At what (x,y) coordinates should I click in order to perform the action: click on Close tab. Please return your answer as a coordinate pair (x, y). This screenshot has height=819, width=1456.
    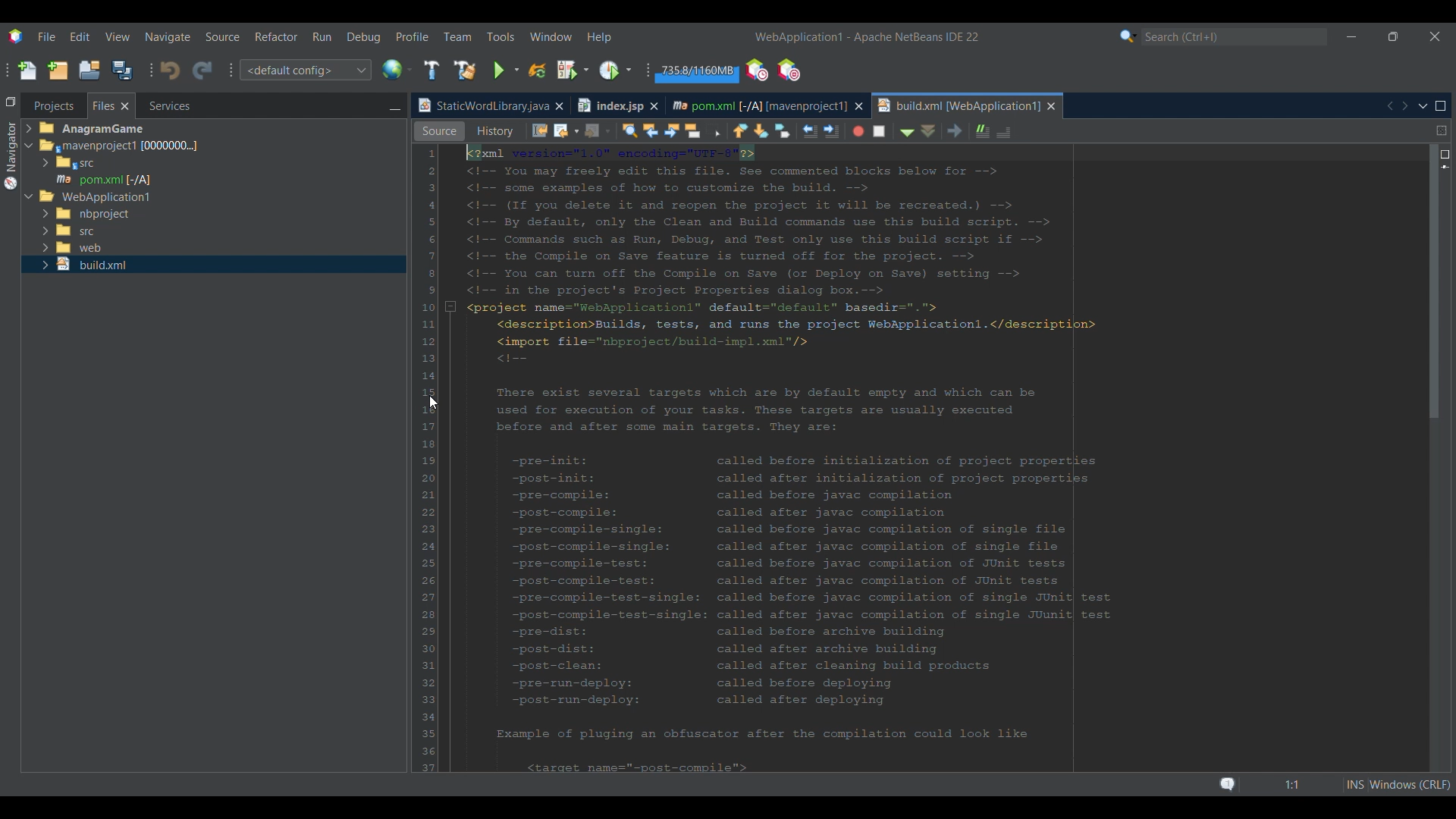
    Looking at the image, I should click on (859, 106).